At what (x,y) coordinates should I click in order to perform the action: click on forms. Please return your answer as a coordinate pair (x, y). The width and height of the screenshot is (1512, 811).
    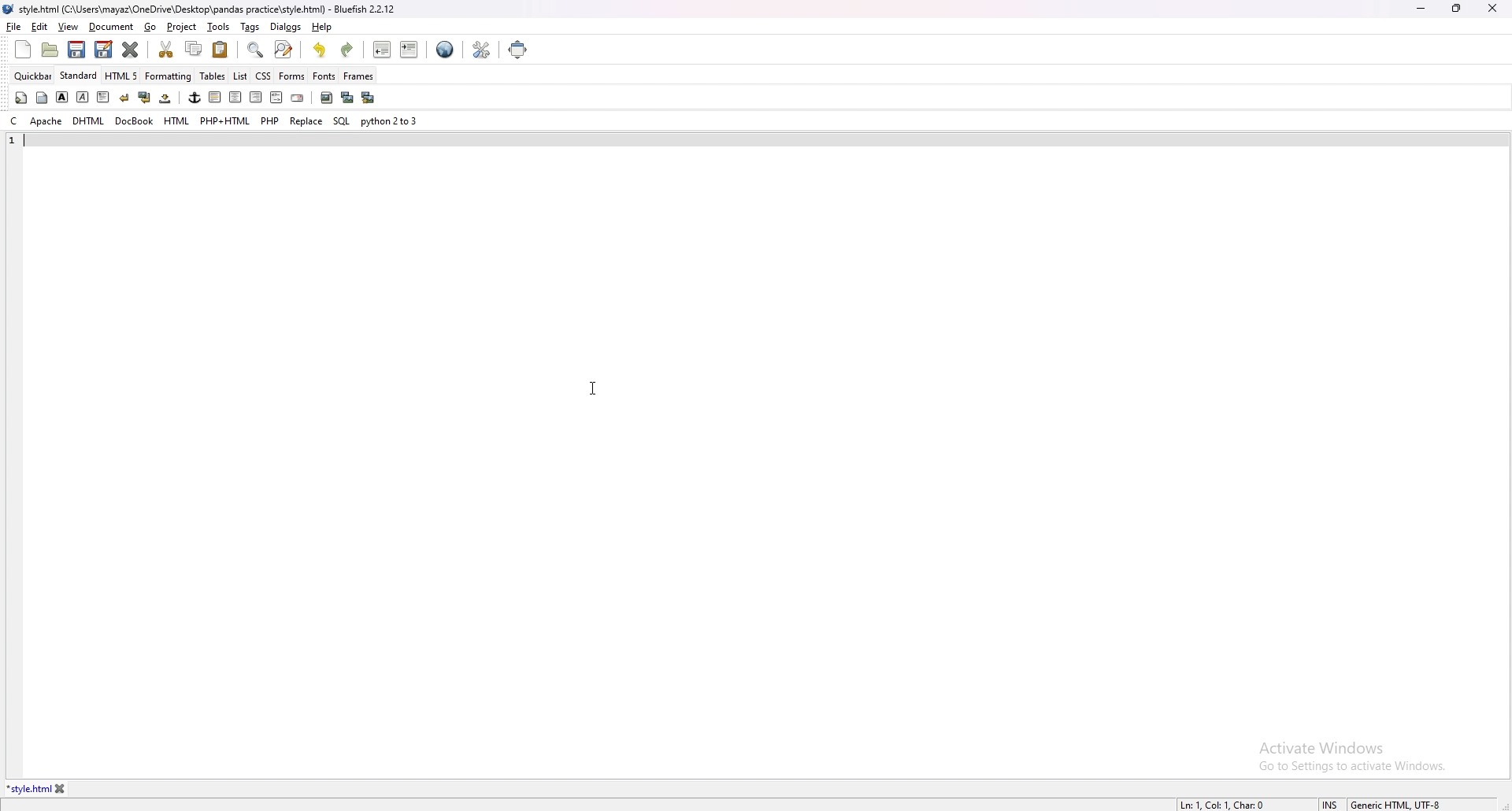
    Looking at the image, I should click on (292, 75).